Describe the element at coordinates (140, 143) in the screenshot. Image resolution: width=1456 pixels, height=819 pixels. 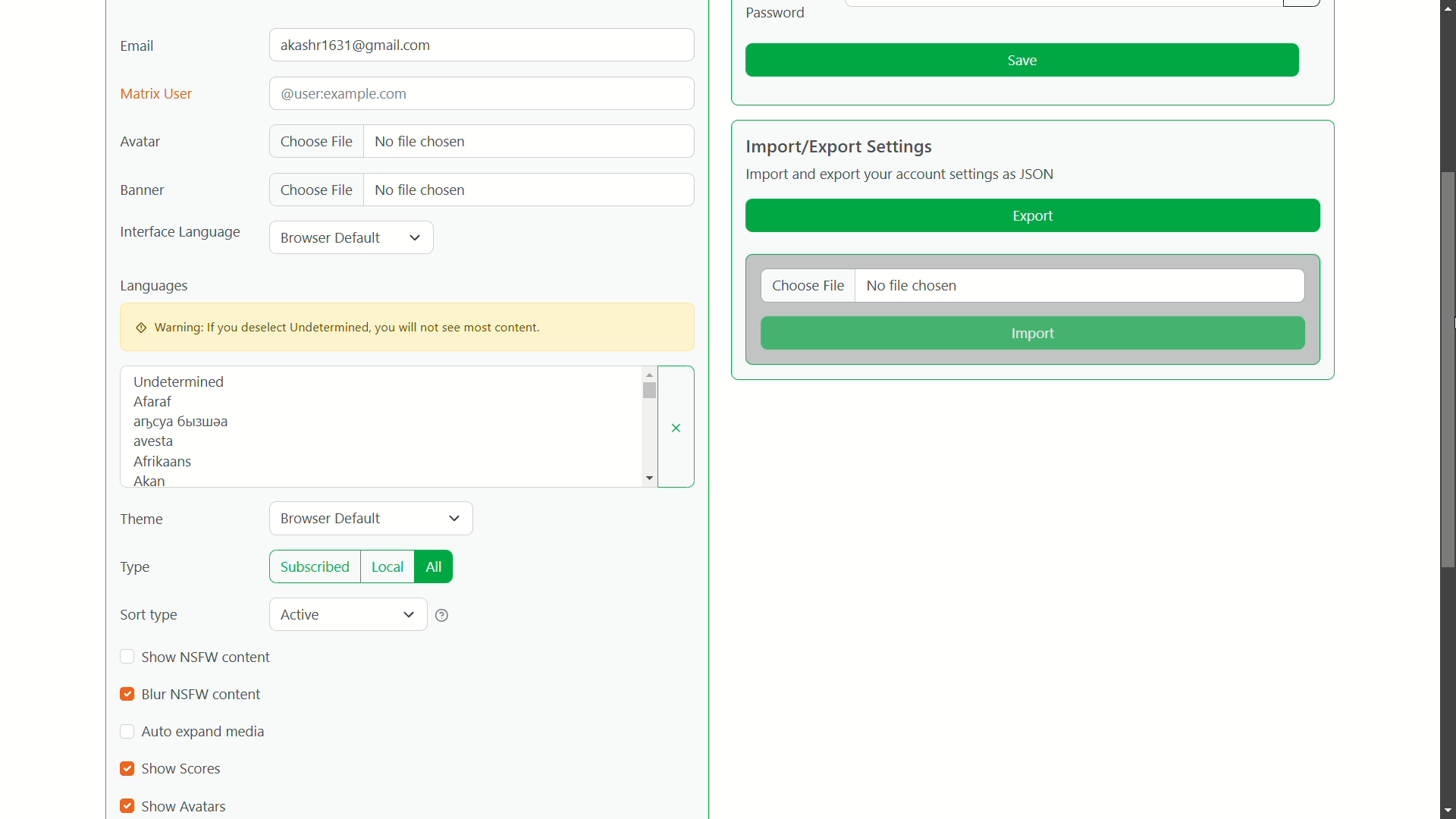
I see `avatar` at that location.